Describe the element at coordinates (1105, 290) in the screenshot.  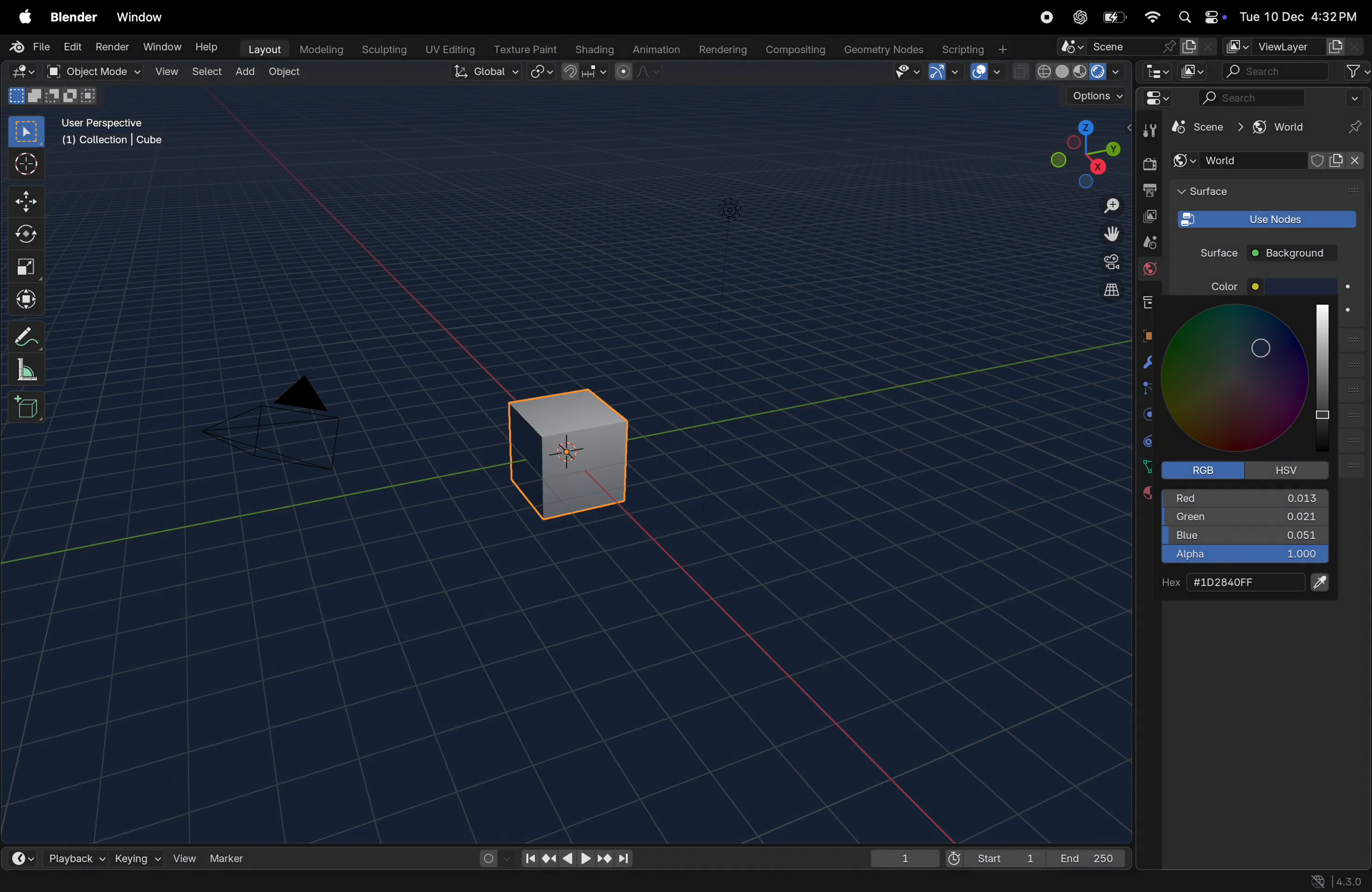
I see `orthographic view` at that location.